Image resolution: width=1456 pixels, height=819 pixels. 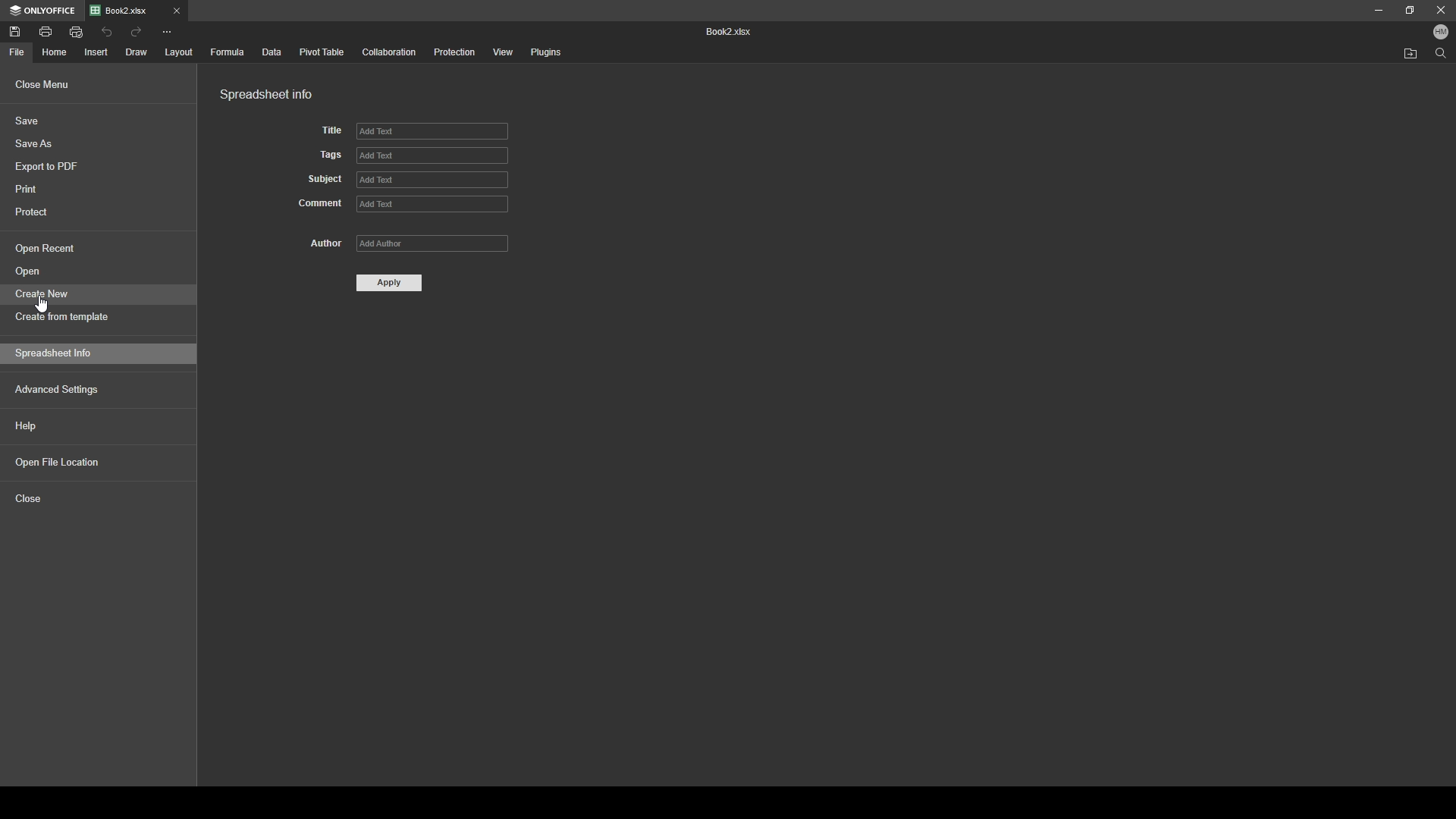 I want to click on onlyoffice, so click(x=52, y=11).